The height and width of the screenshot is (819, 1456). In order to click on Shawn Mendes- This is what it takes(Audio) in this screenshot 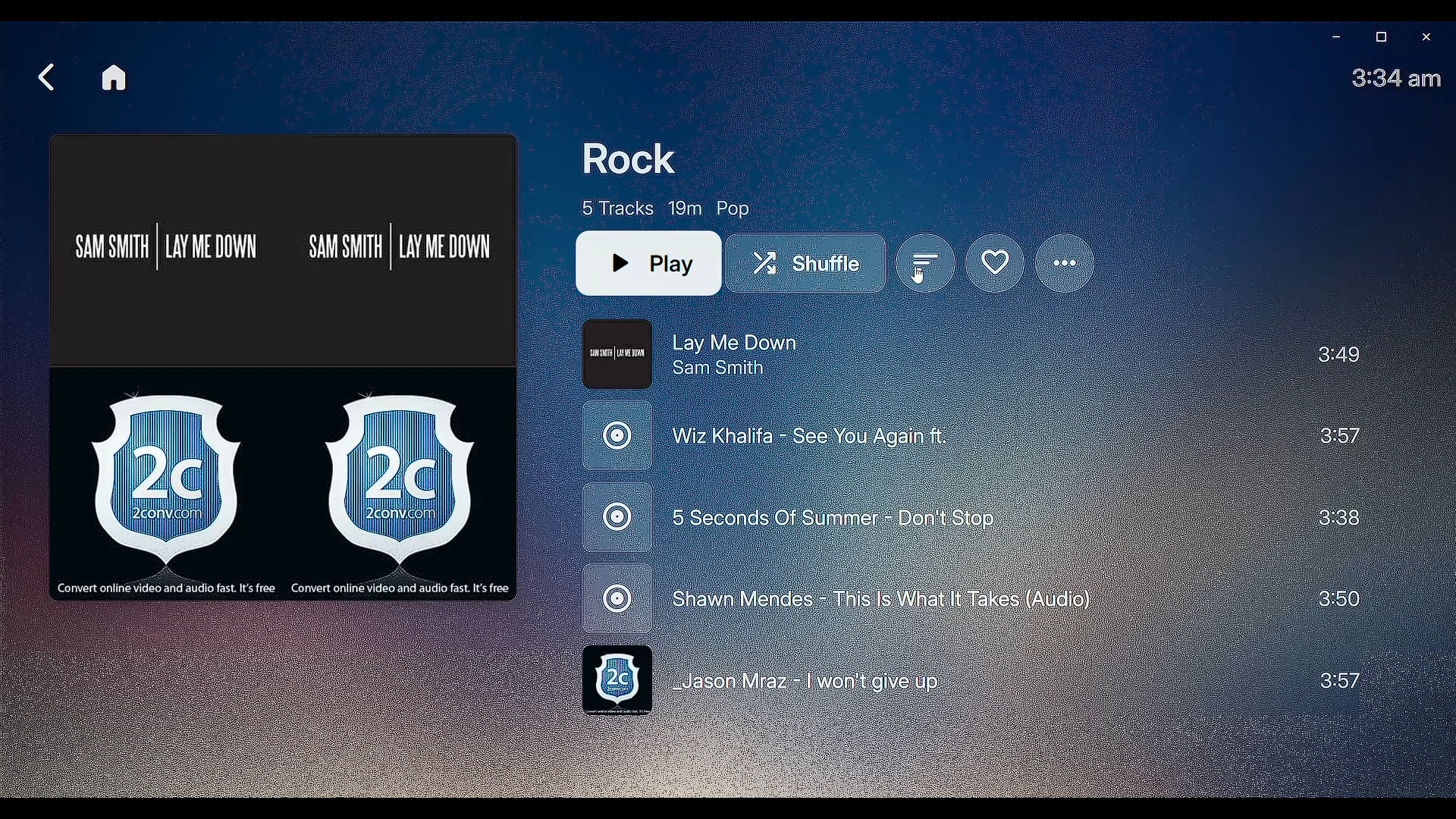, I will do `click(966, 600)`.